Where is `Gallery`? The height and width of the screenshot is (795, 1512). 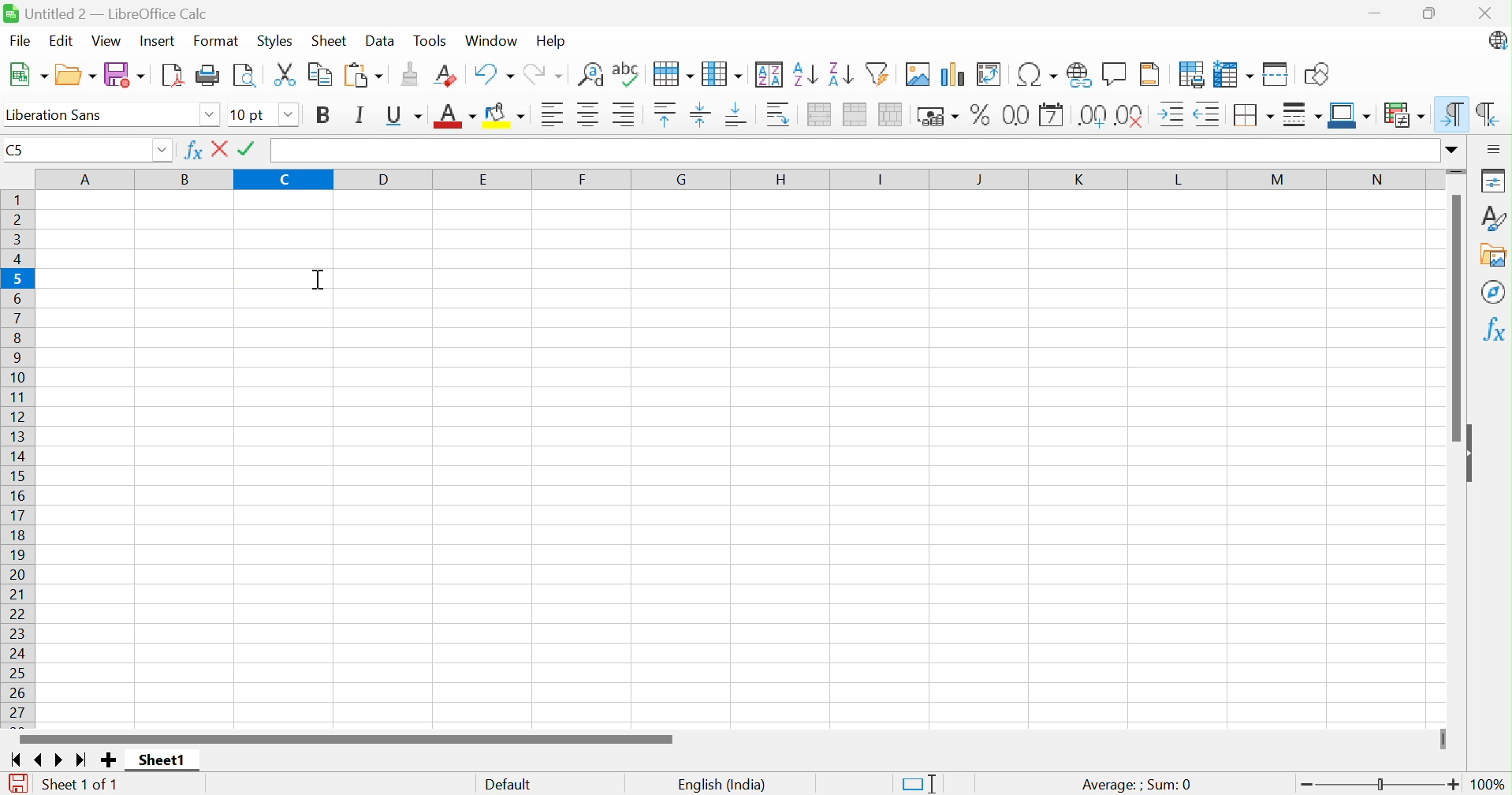
Gallery is located at coordinates (1496, 256).